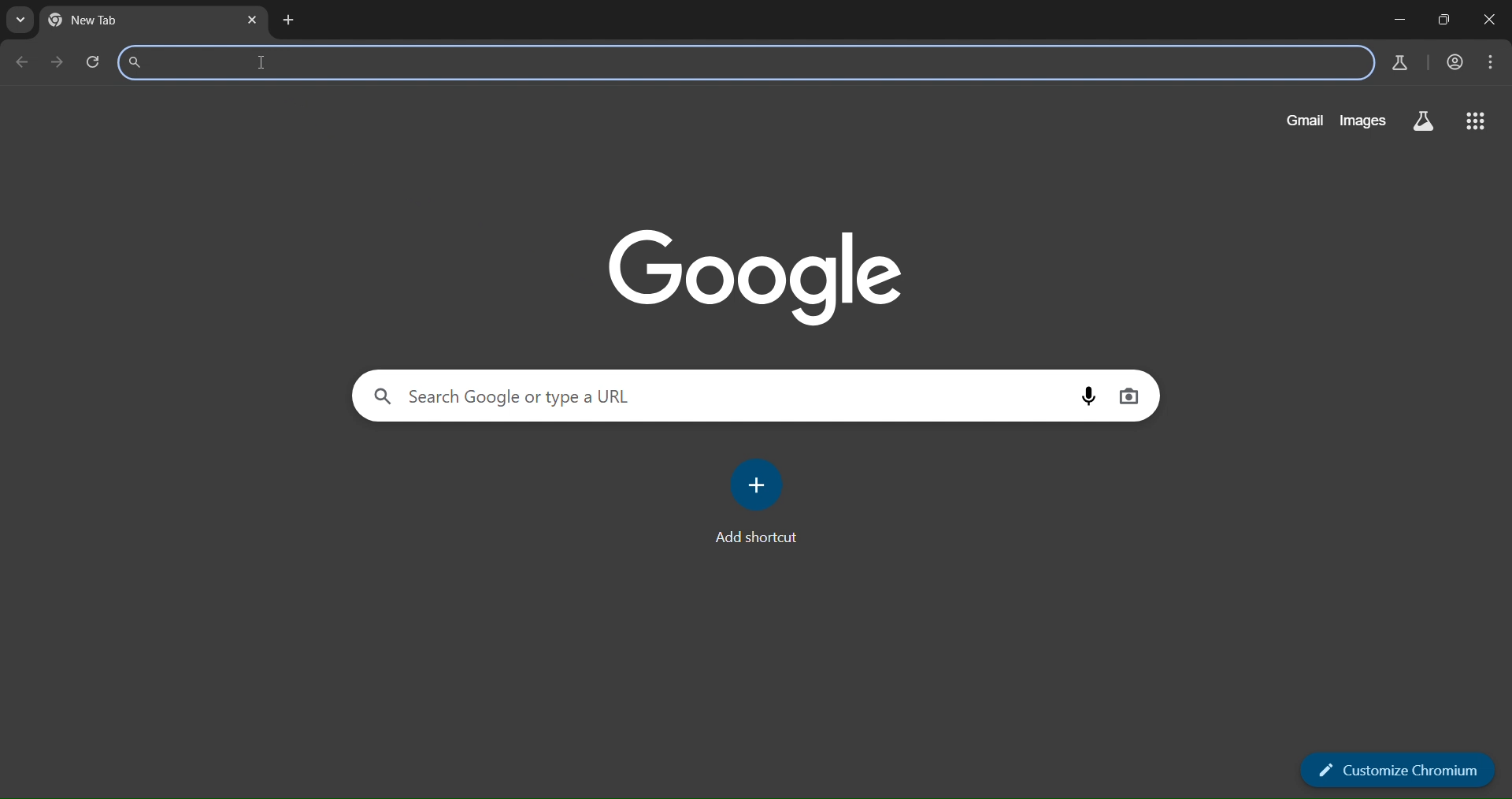 Image resolution: width=1512 pixels, height=799 pixels. I want to click on cursor, so click(261, 66).